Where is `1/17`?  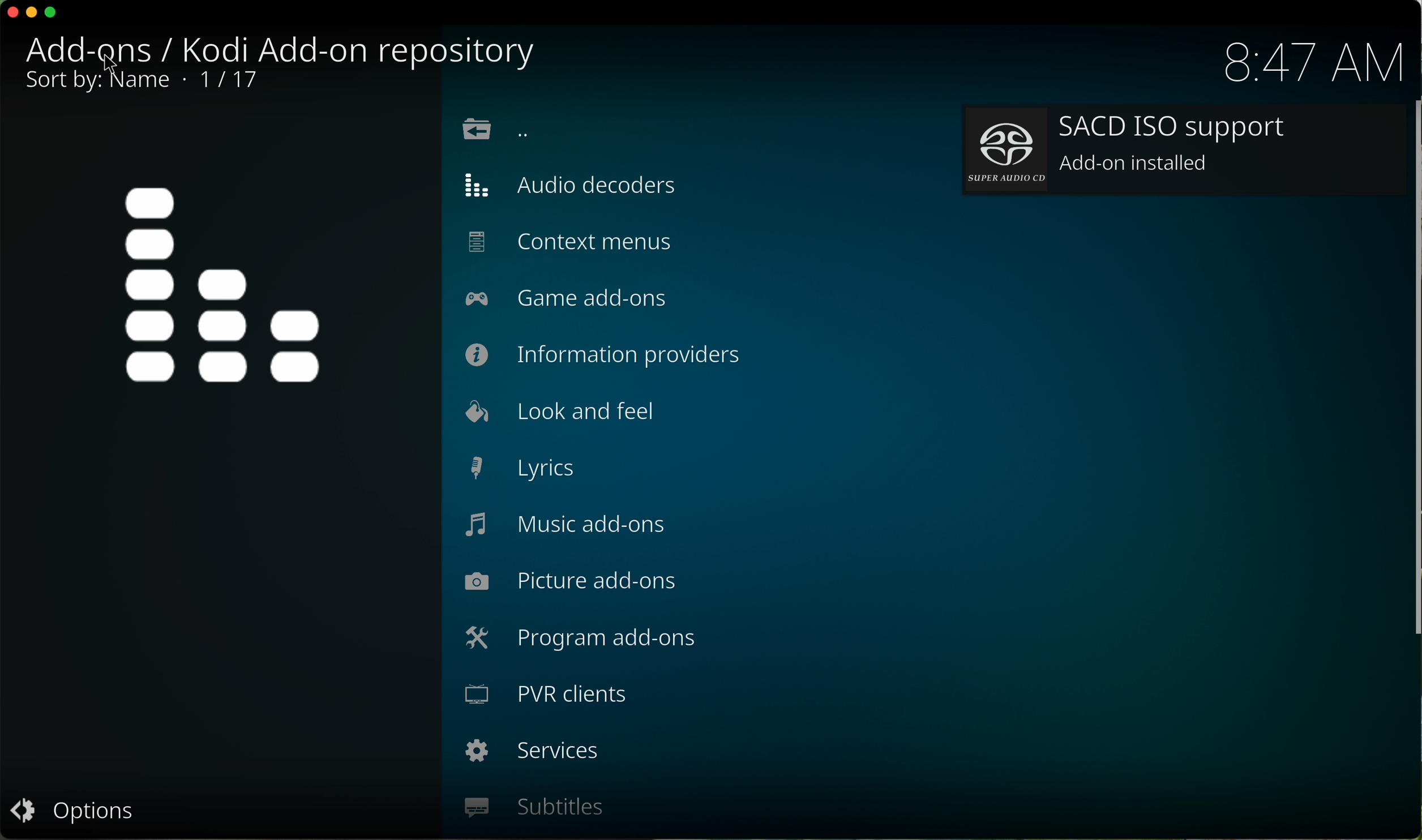
1/17 is located at coordinates (140, 84).